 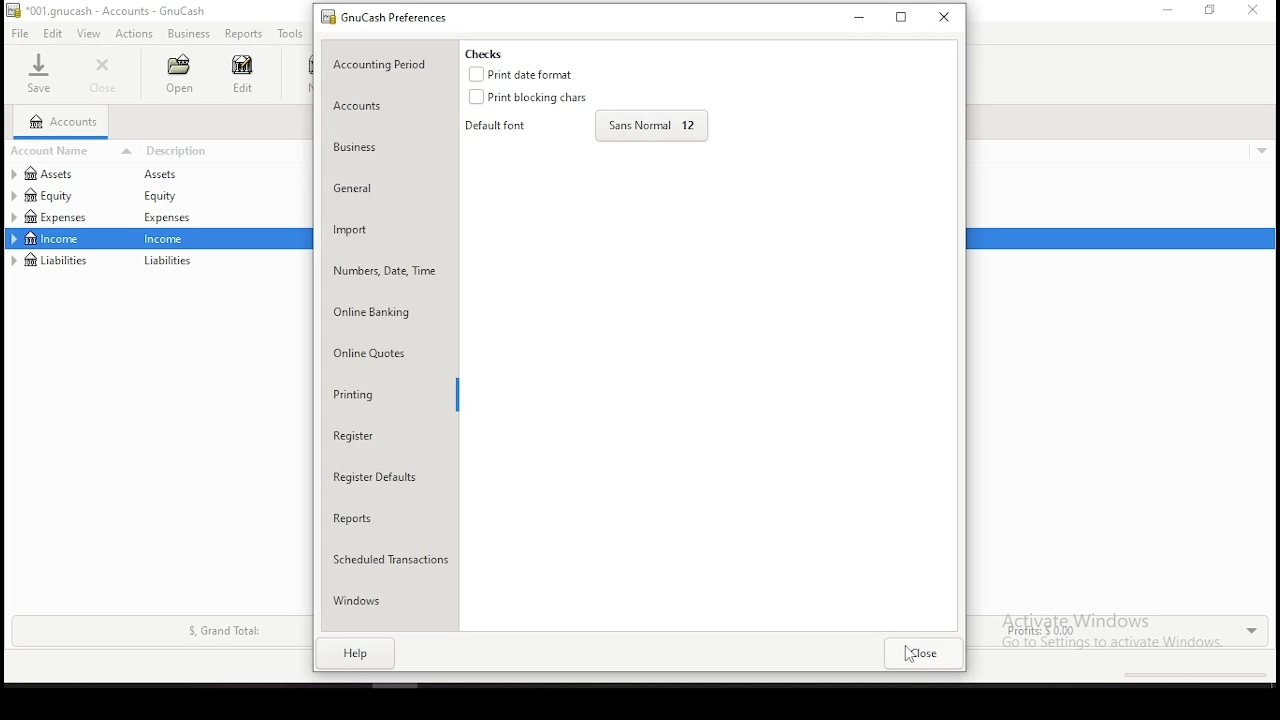 I want to click on close, so click(x=105, y=75).